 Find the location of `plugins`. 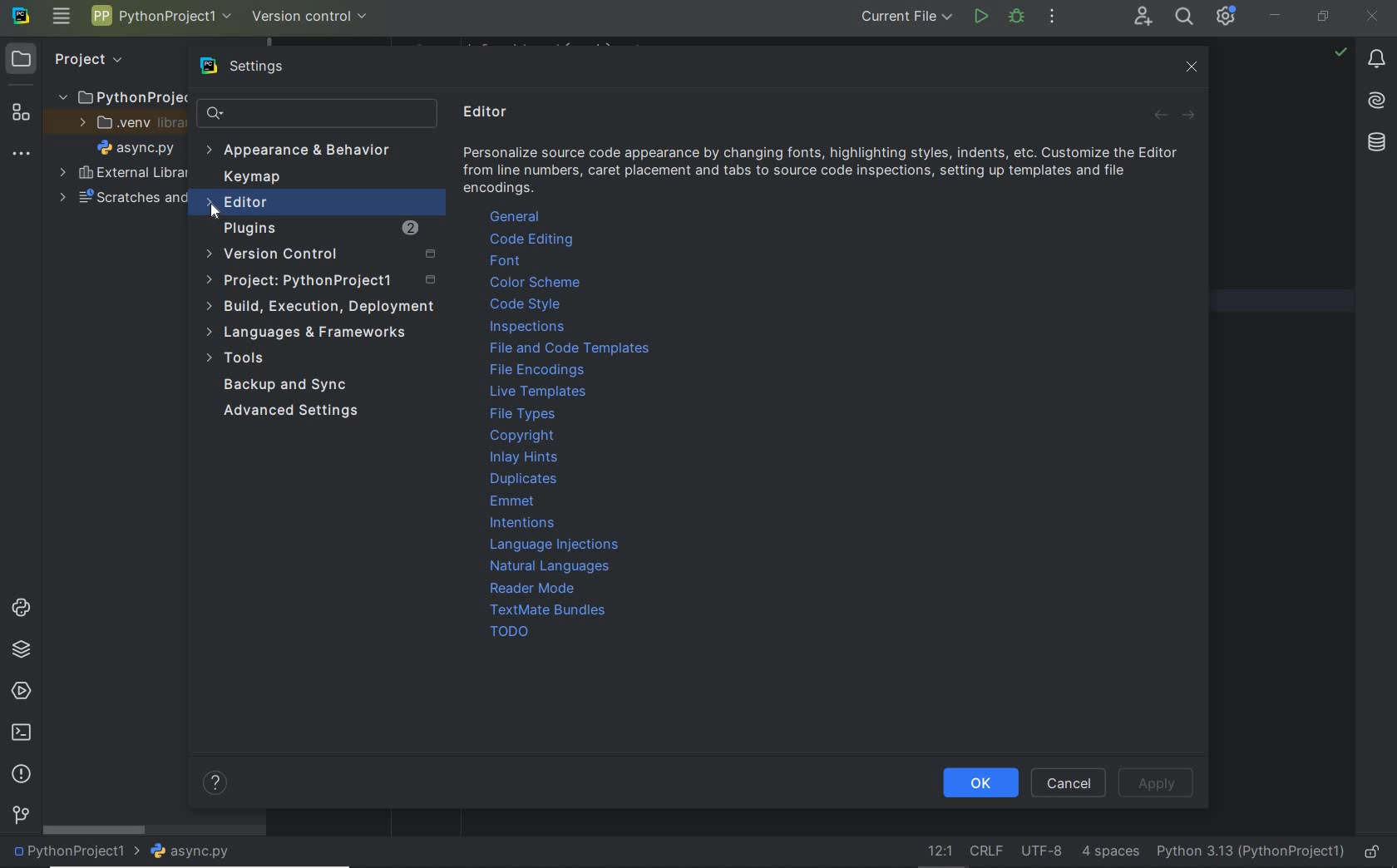

plugins is located at coordinates (316, 228).